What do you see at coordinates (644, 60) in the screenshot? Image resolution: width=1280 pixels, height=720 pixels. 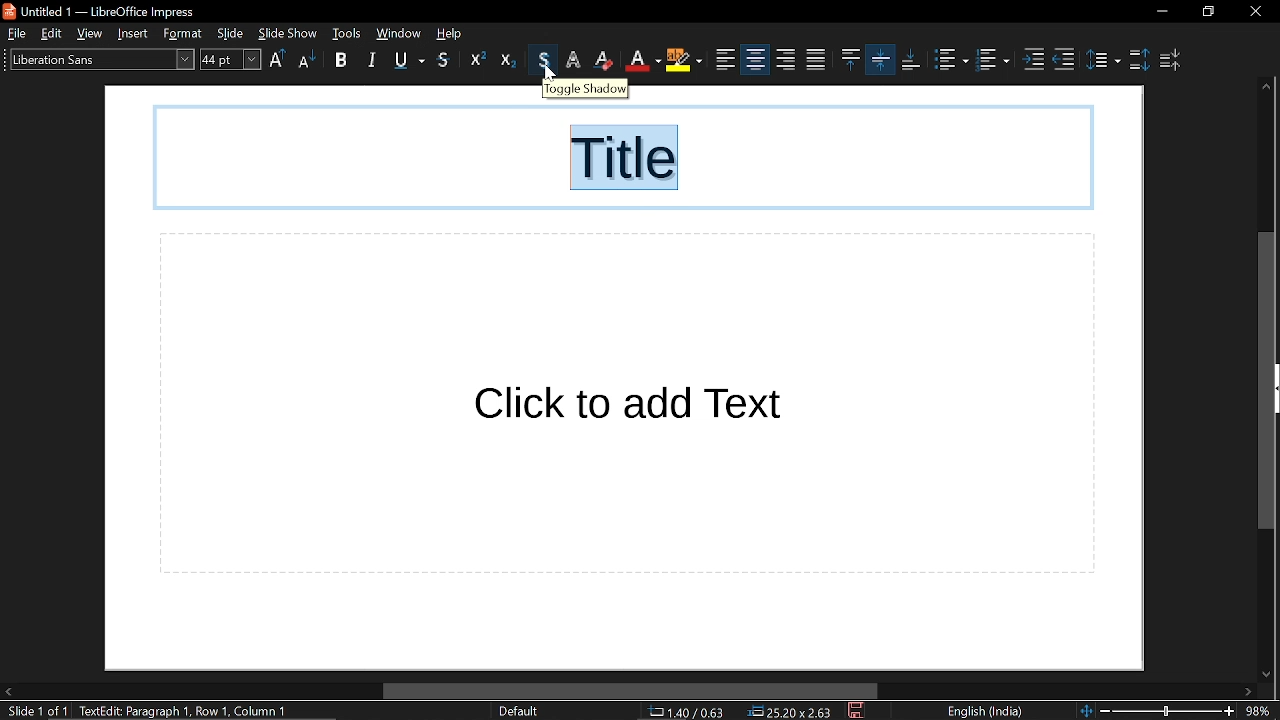 I see `highlight` at bounding box center [644, 60].